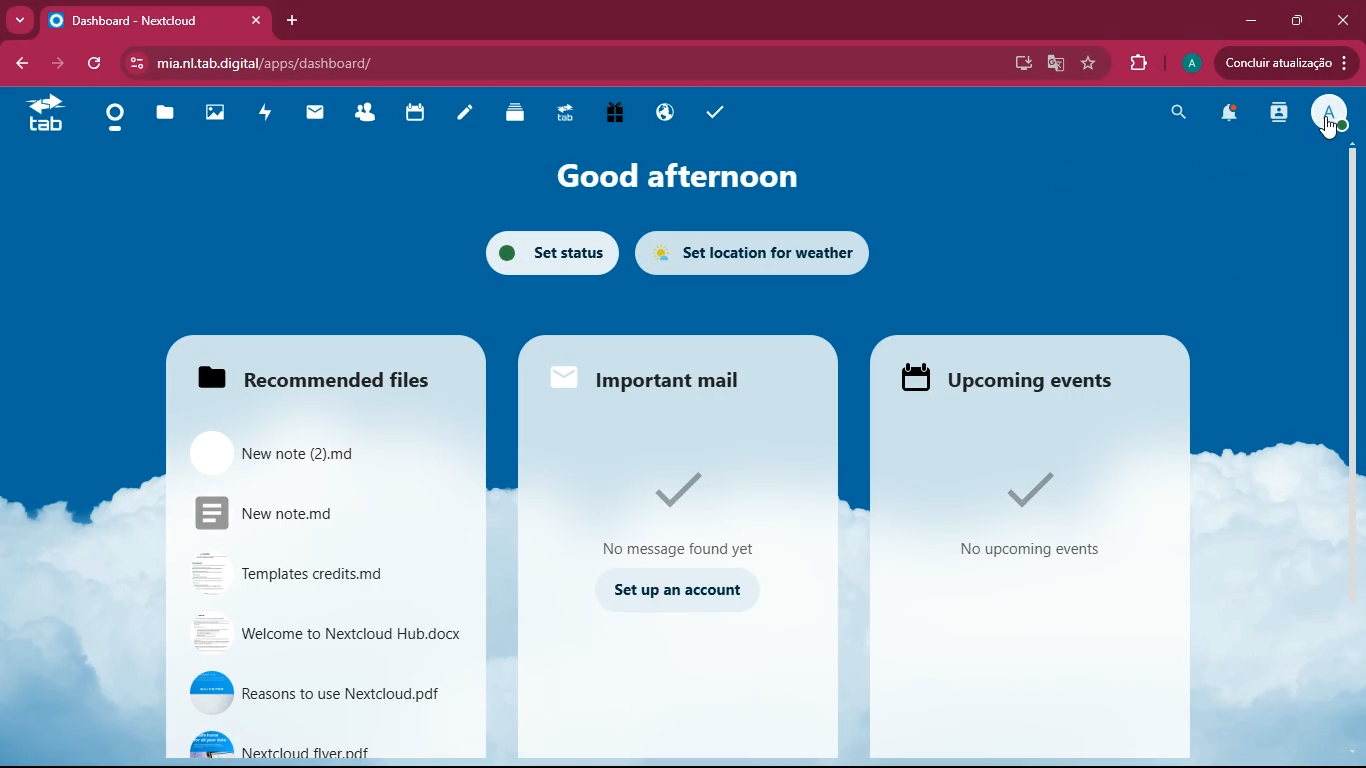 This screenshot has width=1366, height=768. Describe the element at coordinates (21, 64) in the screenshot. I see `back` at that location.